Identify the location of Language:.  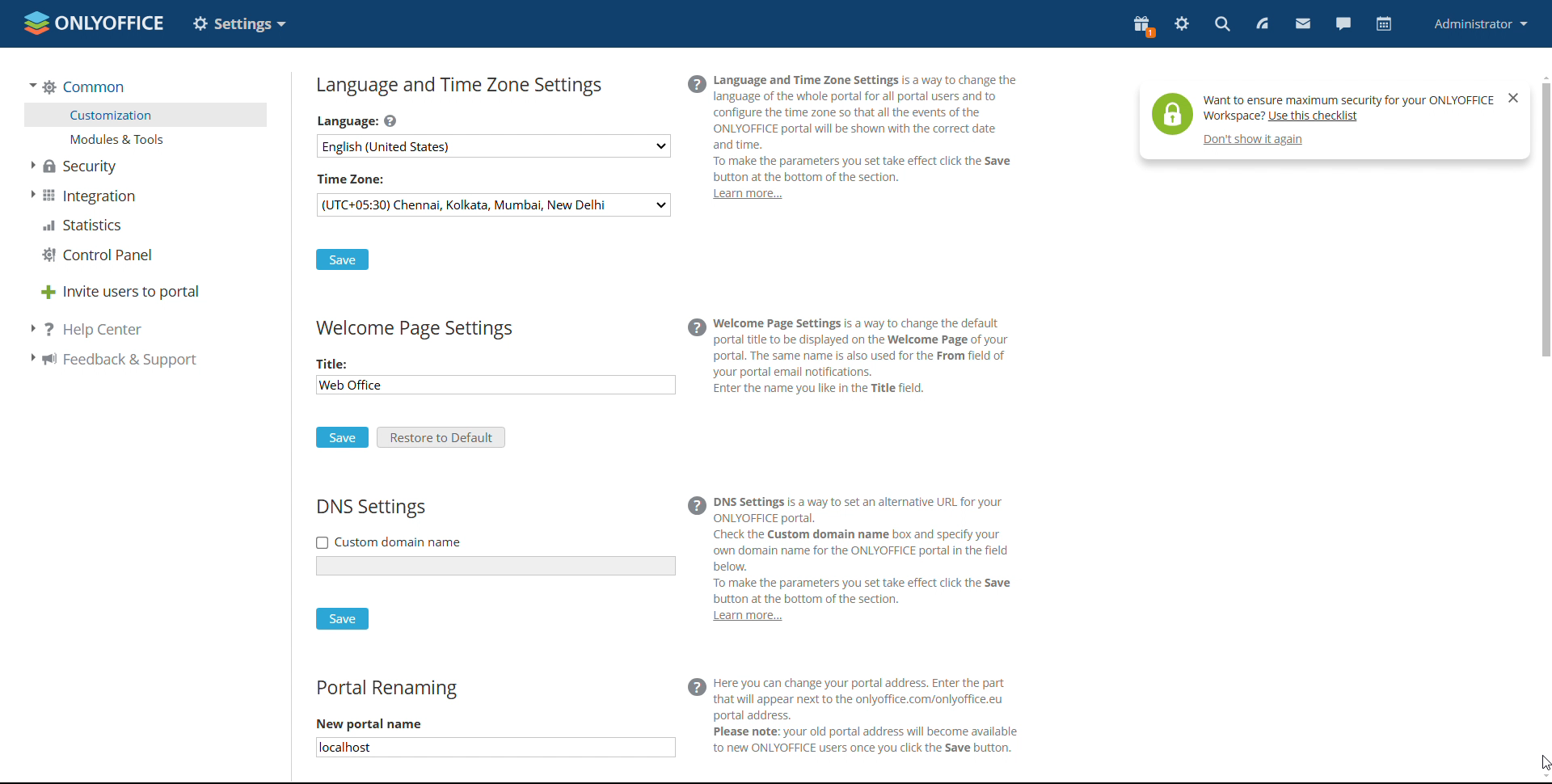
(362, 120).